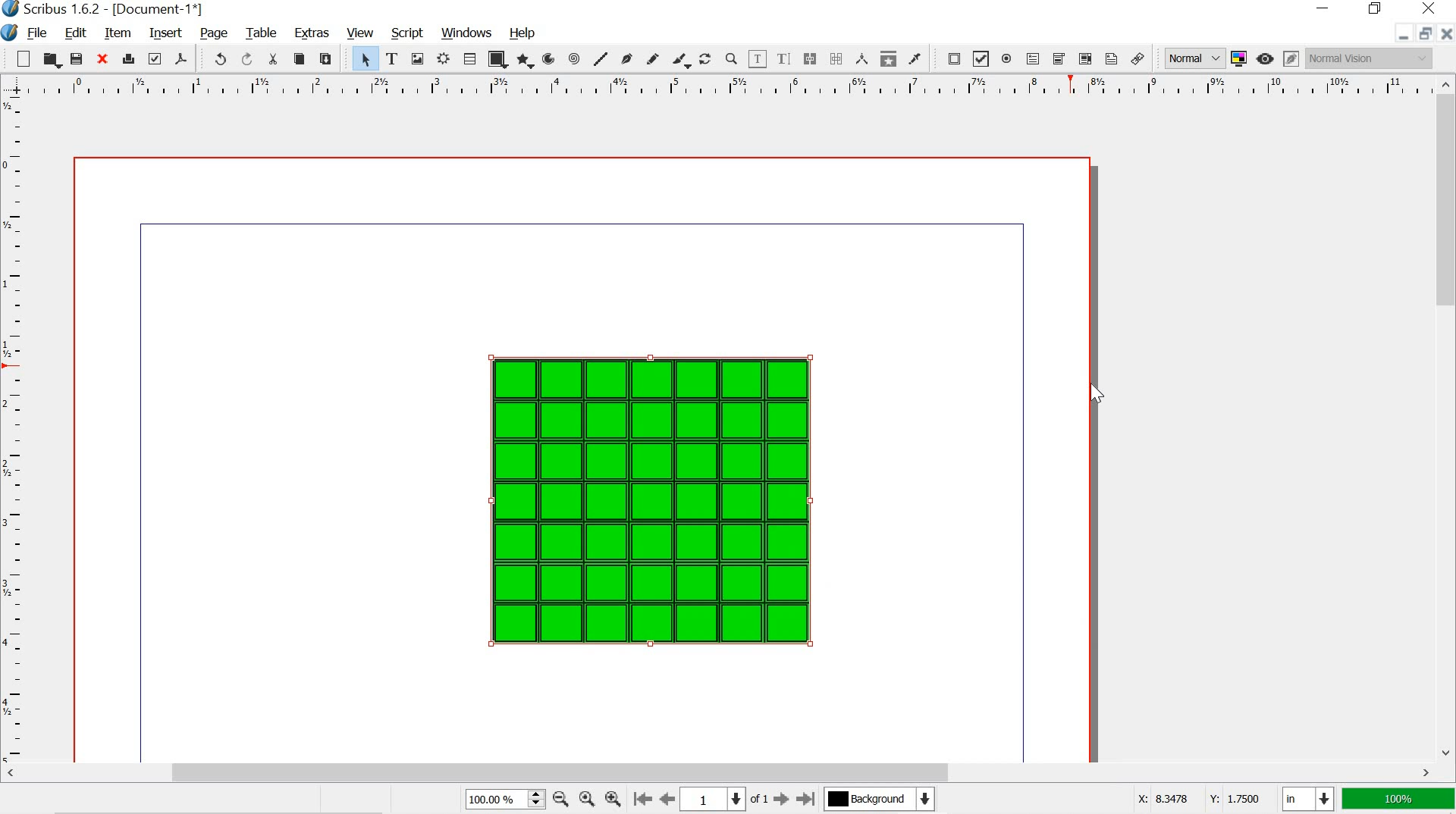 Image resolution: width=1456 pixels, height=814 pixels. I want to click on pdf combo box, so click(1059, 59).